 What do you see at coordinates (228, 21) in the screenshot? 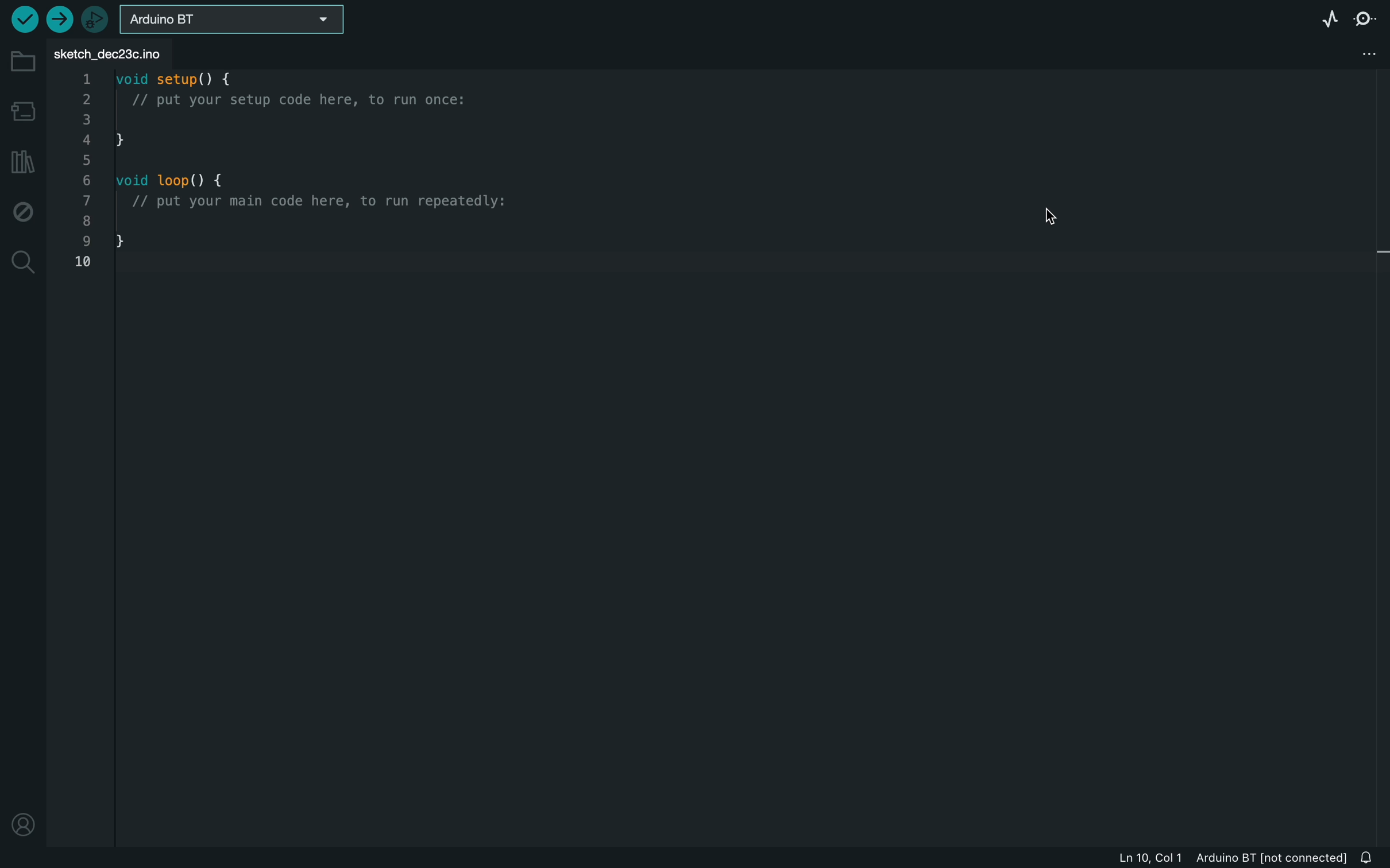
I see `board selecter` at bounding box center [228, 21].